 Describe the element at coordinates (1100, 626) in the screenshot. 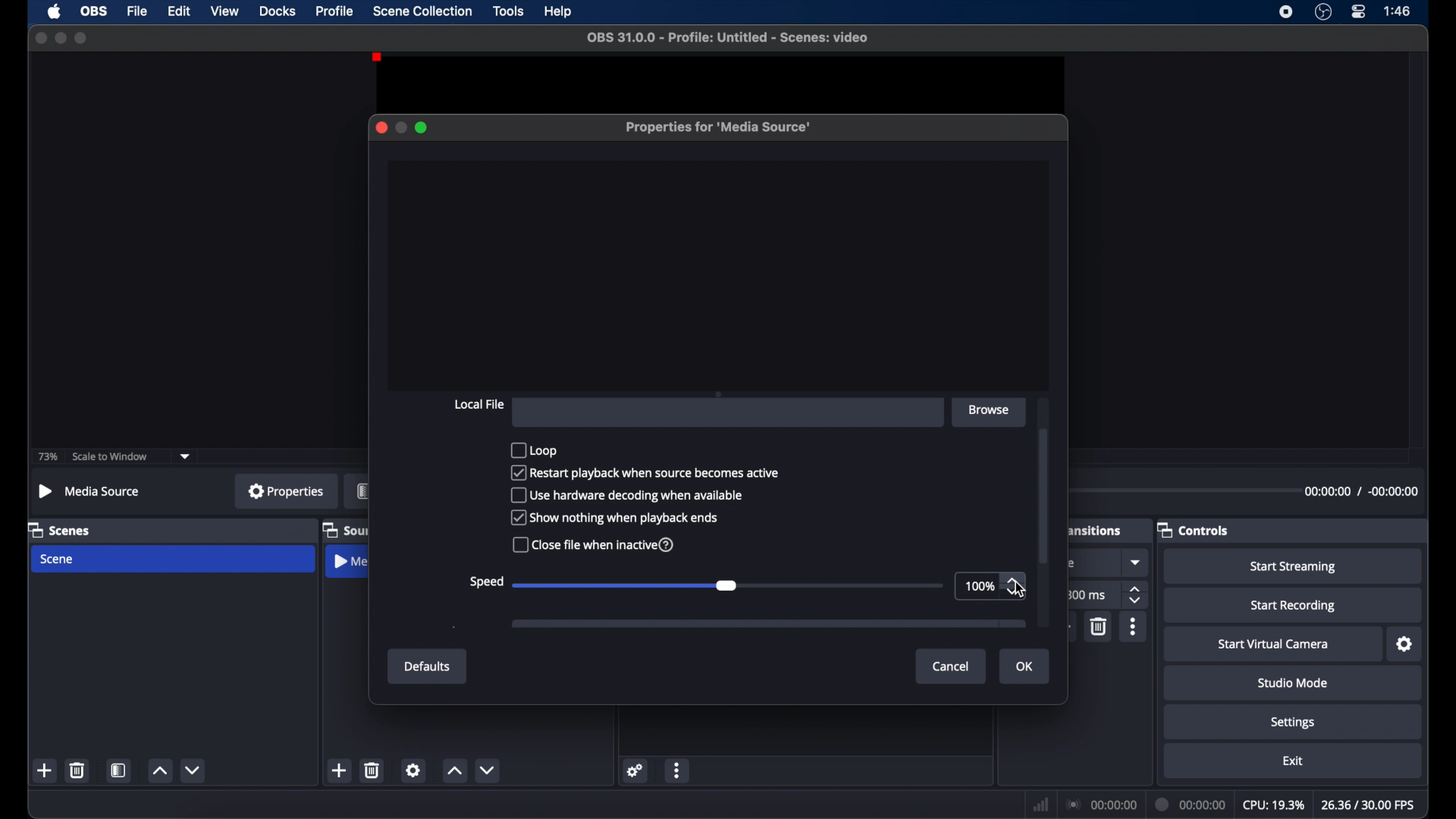

I see `delete` at that location.